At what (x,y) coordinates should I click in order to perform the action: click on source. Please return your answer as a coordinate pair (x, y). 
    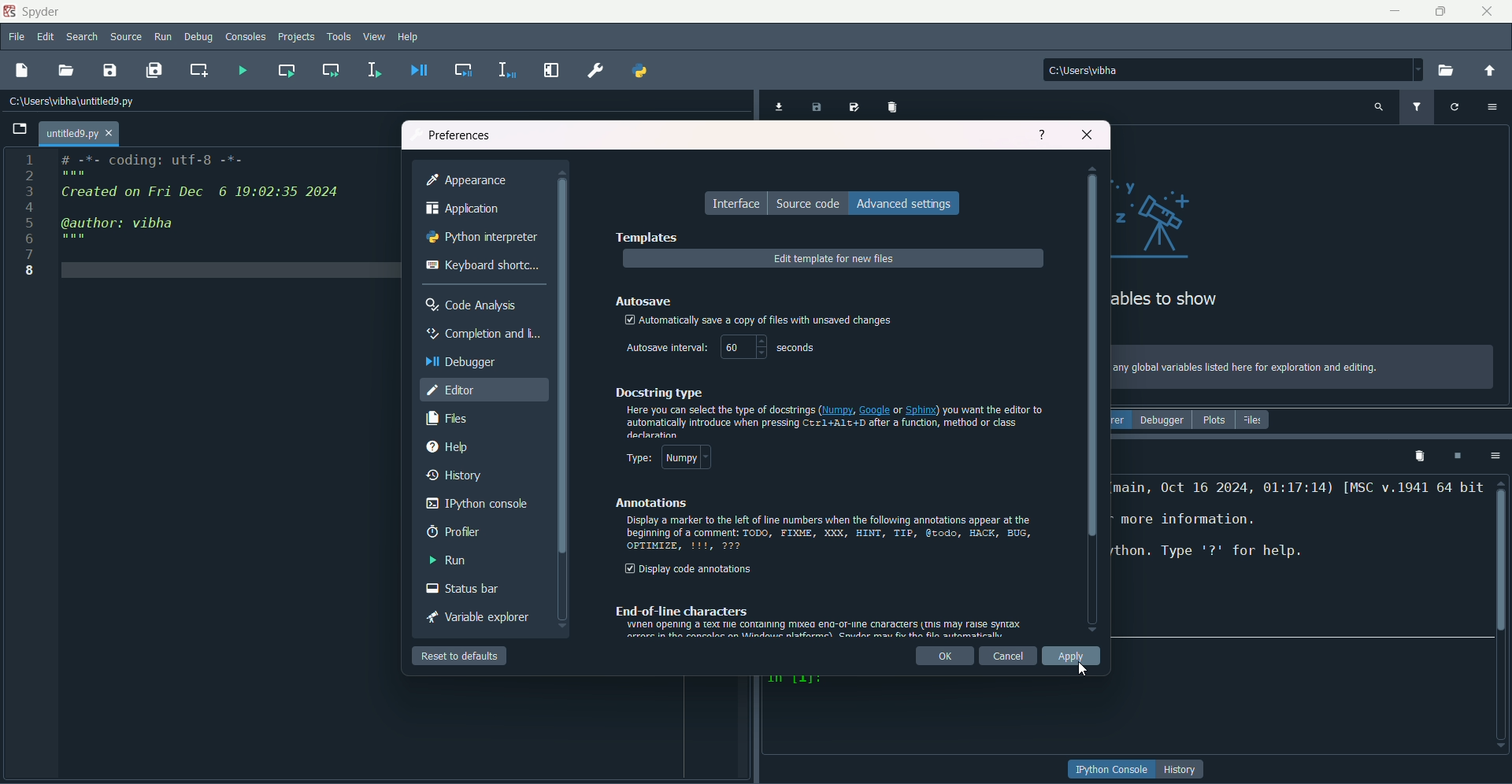
    Looking at the image, I should click on (127, 37).